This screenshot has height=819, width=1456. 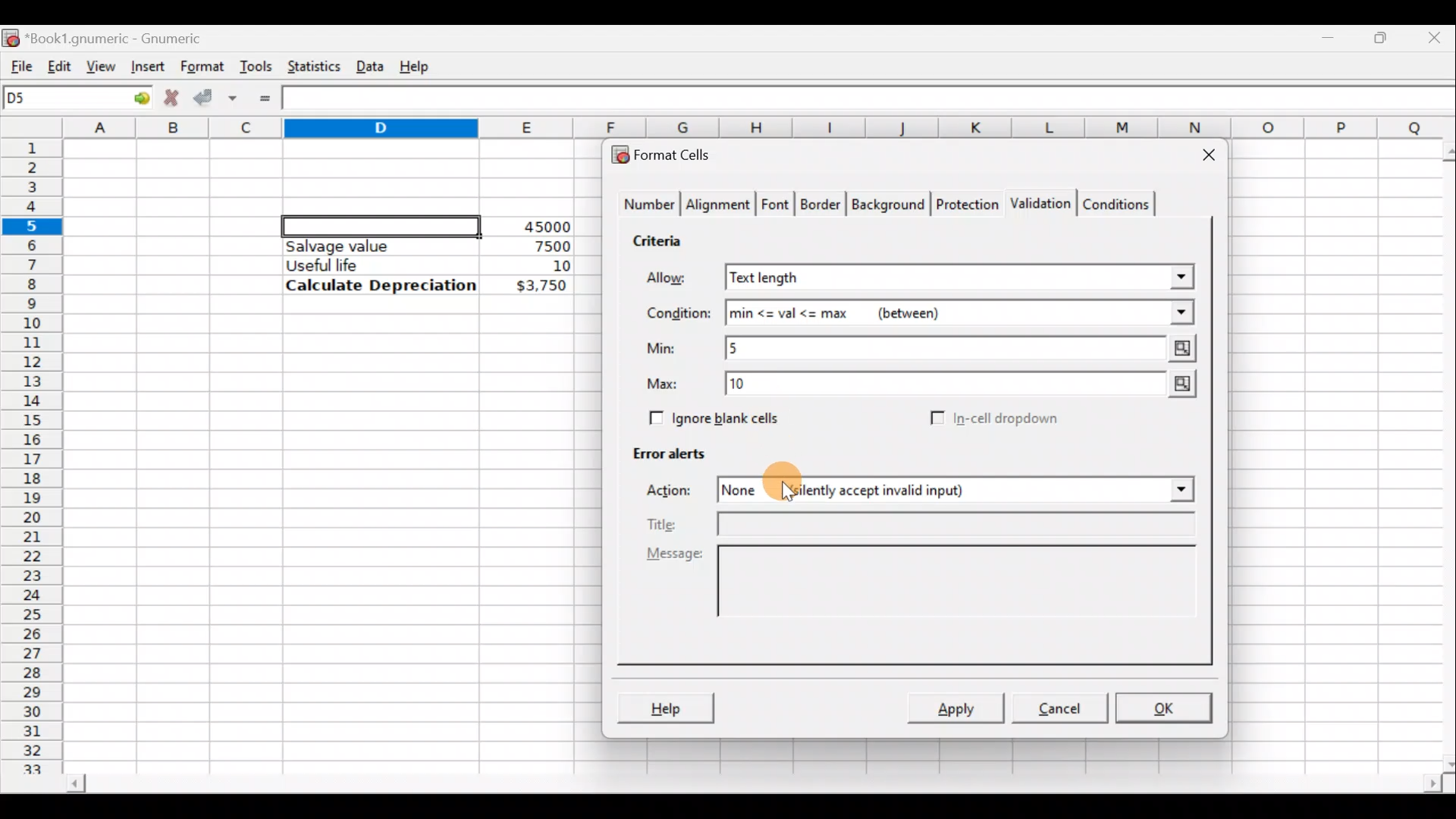 I want to click on Edit, so click(x=59, y=63).